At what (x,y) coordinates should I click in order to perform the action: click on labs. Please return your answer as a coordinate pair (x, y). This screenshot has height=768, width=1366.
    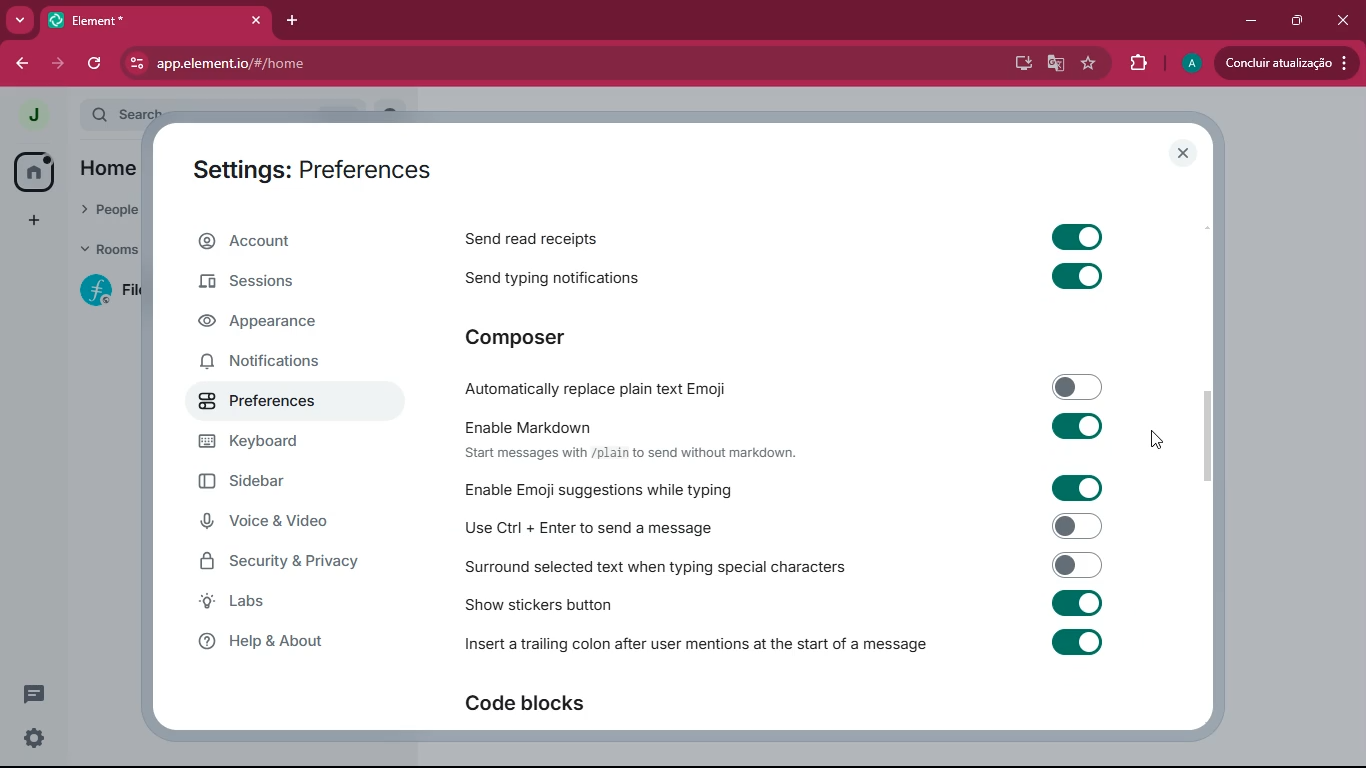
    Looking at the image, I should click on (283, 602).